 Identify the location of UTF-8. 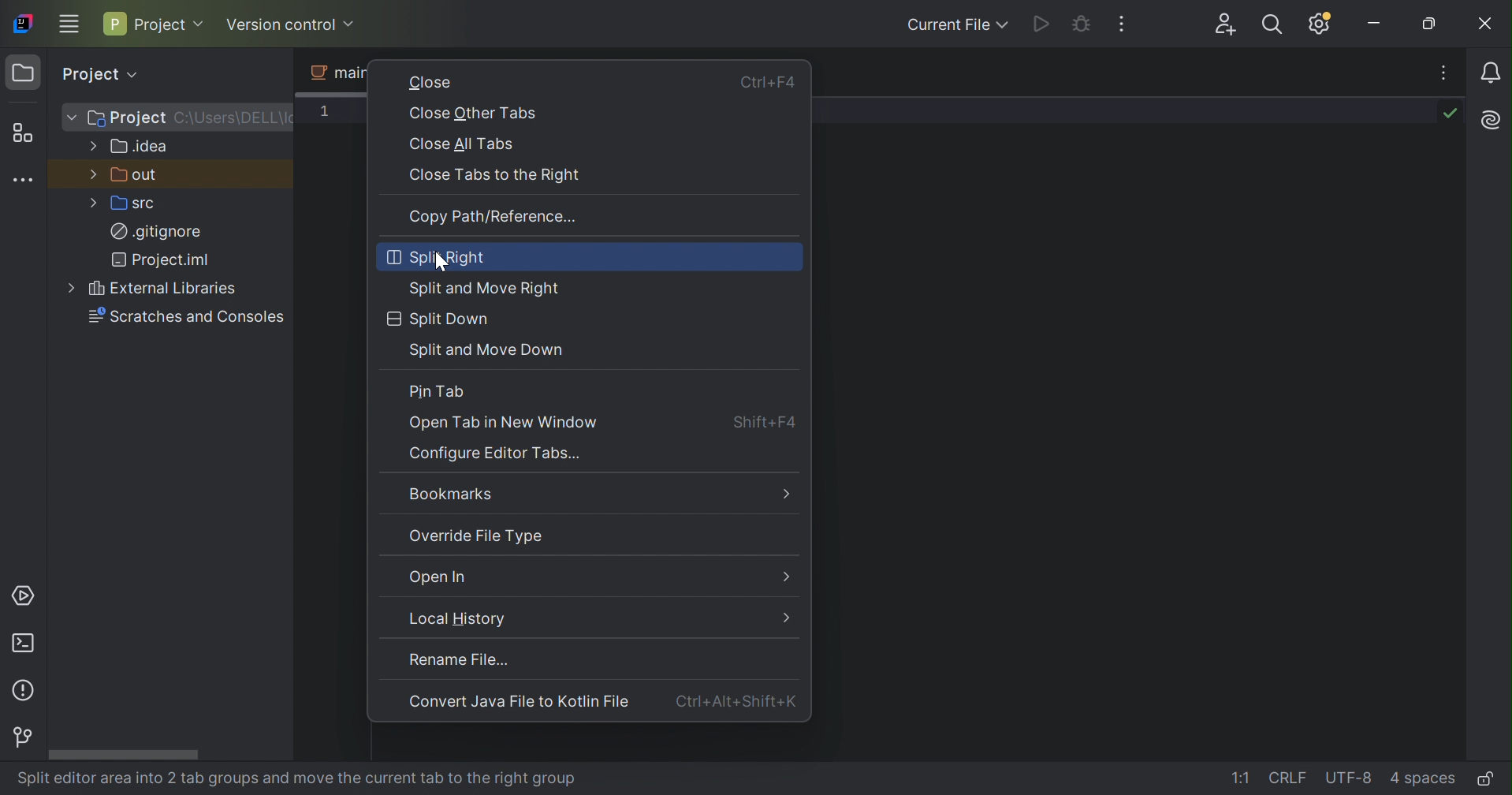
(1351, 778).